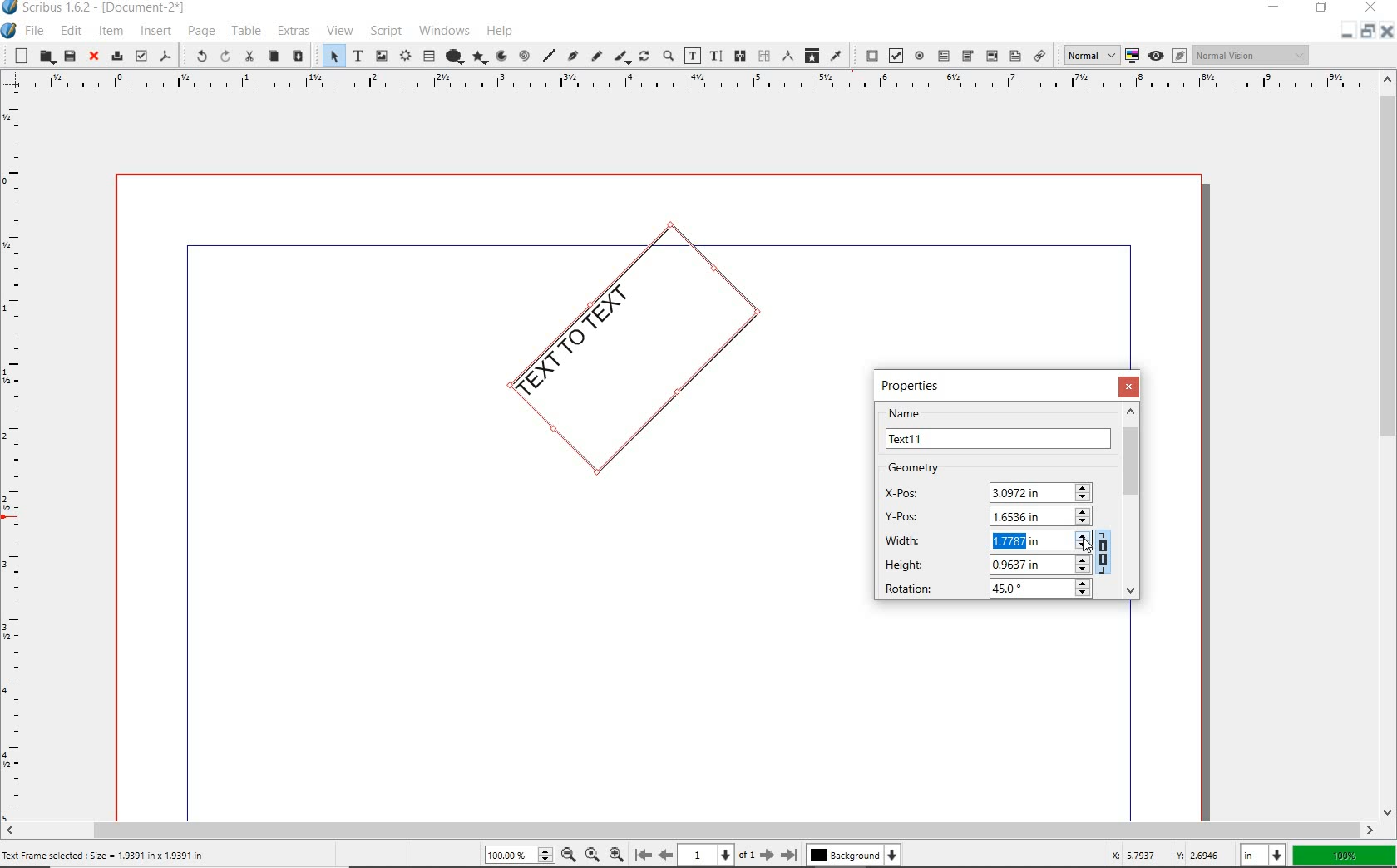 The image size is (1397, 868). I want to click on unlink text frames, so click(763, 57).